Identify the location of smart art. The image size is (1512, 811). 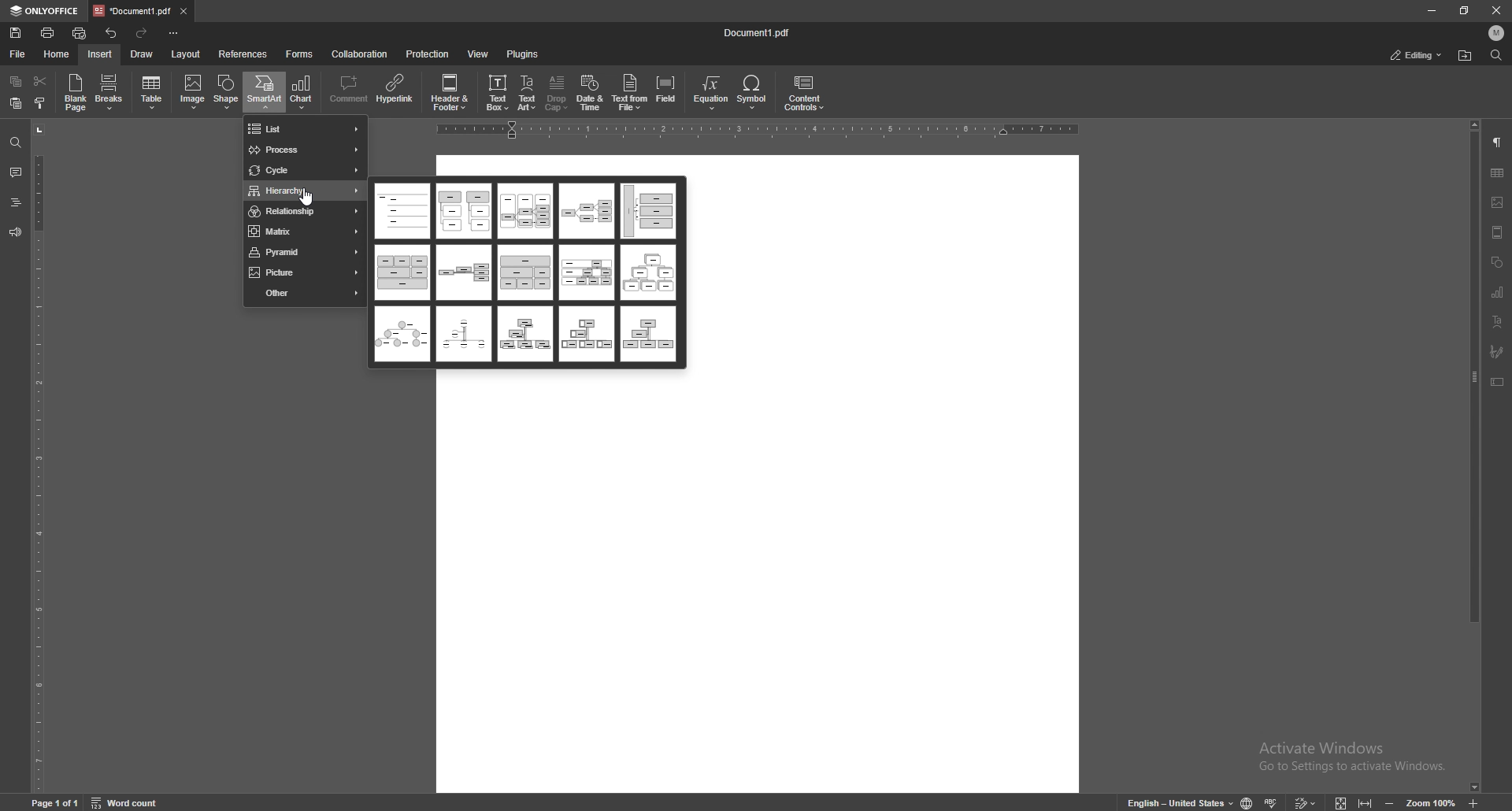
(264, 91).